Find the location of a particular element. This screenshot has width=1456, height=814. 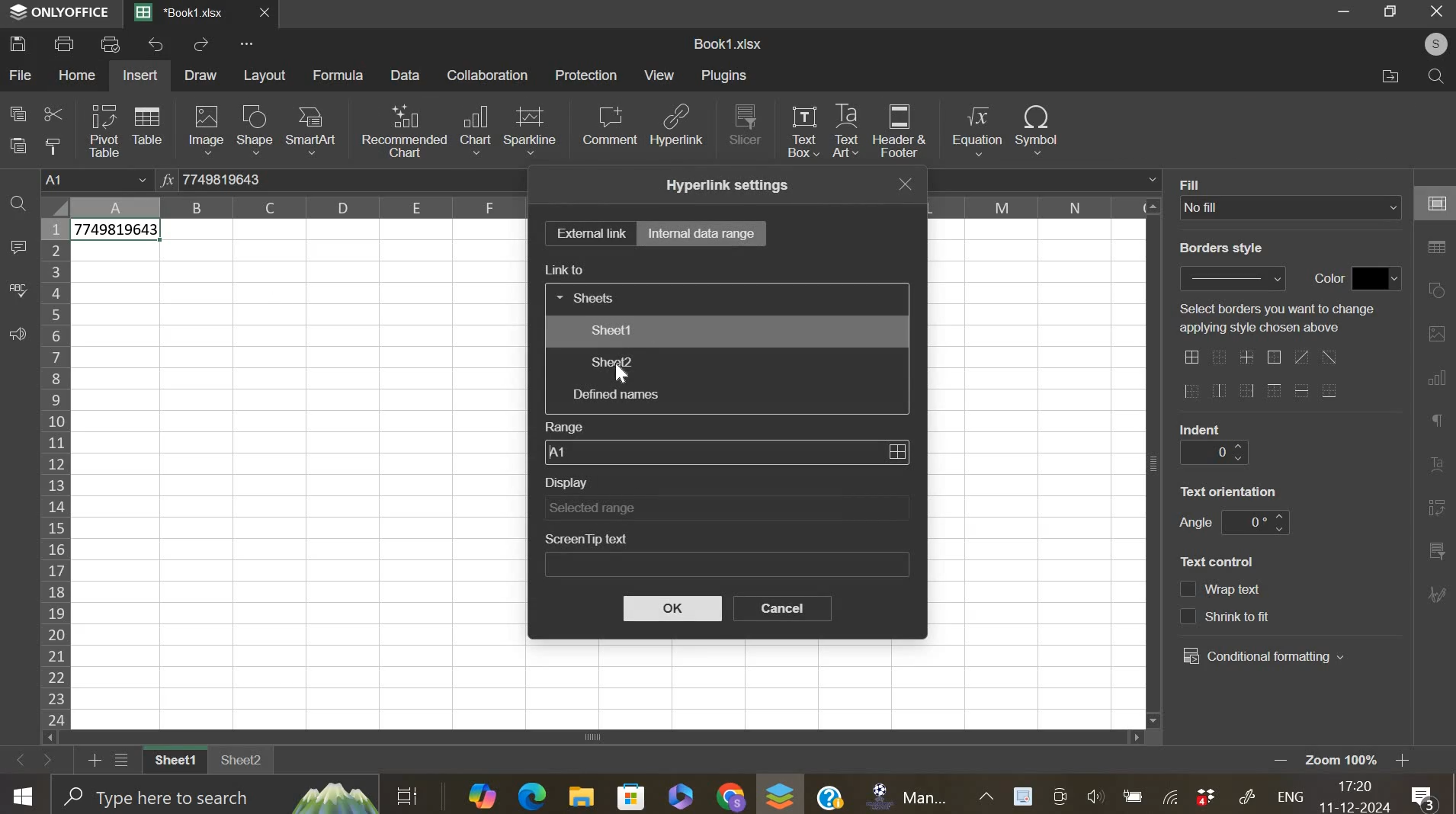

current sheets is located at coordinates (187, 14).